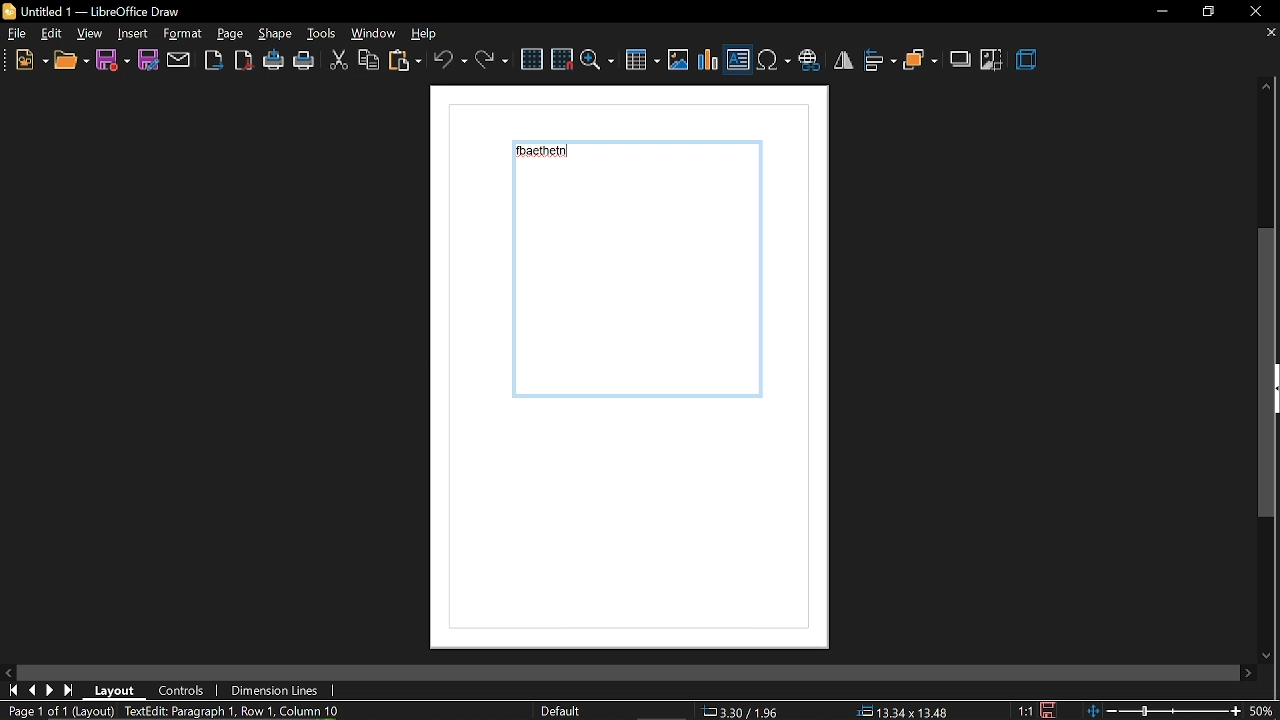  What do you see at coordinates (231, 34) in the screenshot?
I see `format` at bounding box center [231, 34].